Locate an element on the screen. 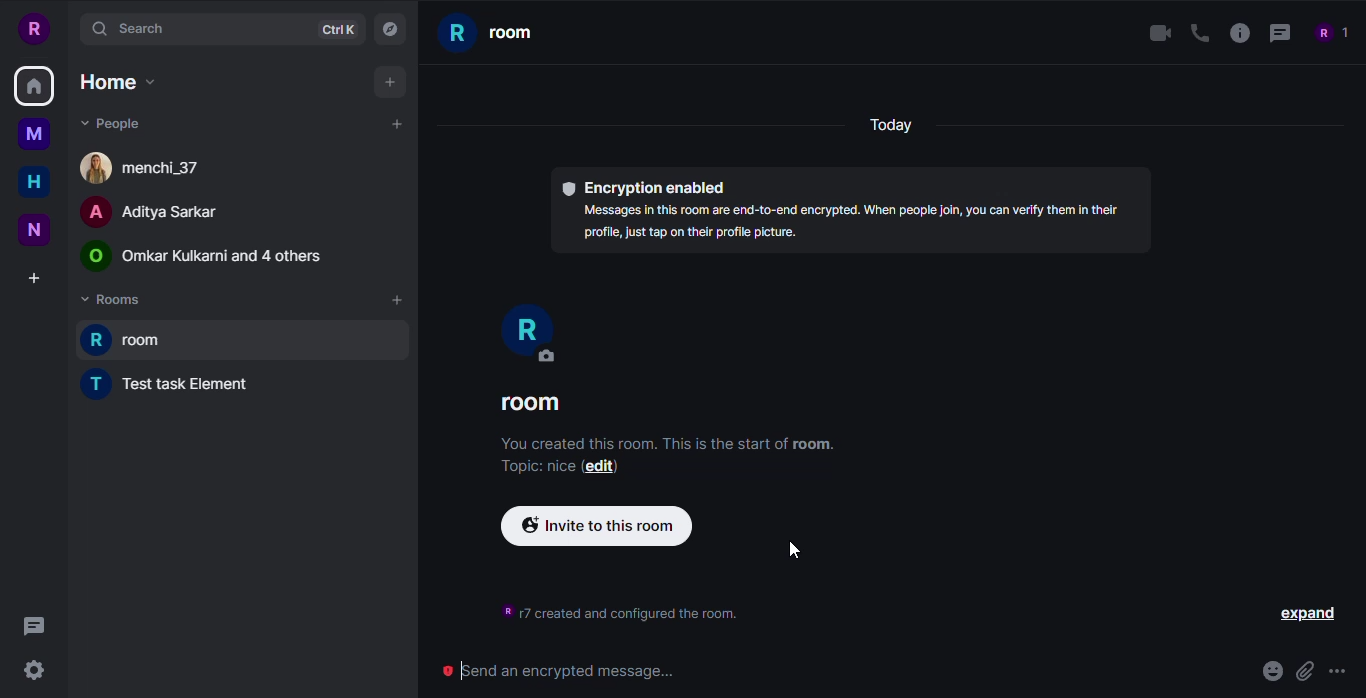 The image size is (1366, 698). new is located at coordinates (35, 229).